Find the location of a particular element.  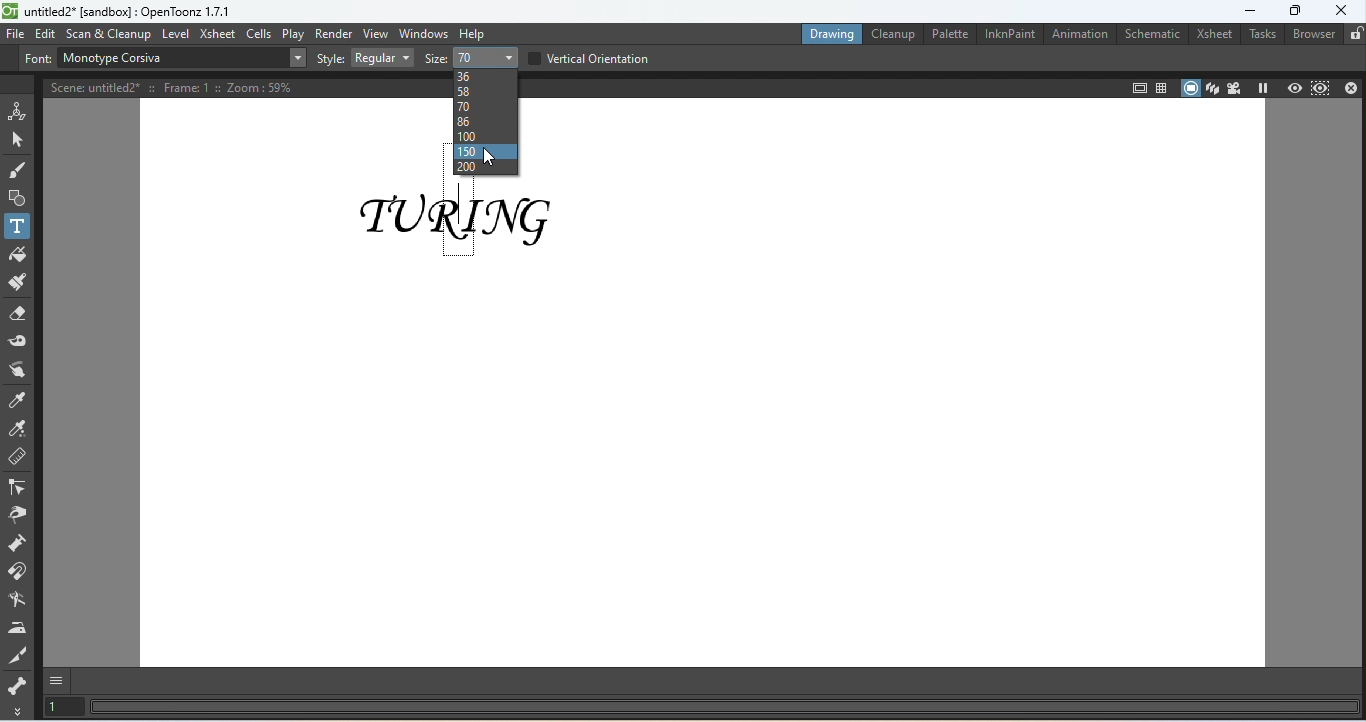

Size is located at coordinates (432, 60).